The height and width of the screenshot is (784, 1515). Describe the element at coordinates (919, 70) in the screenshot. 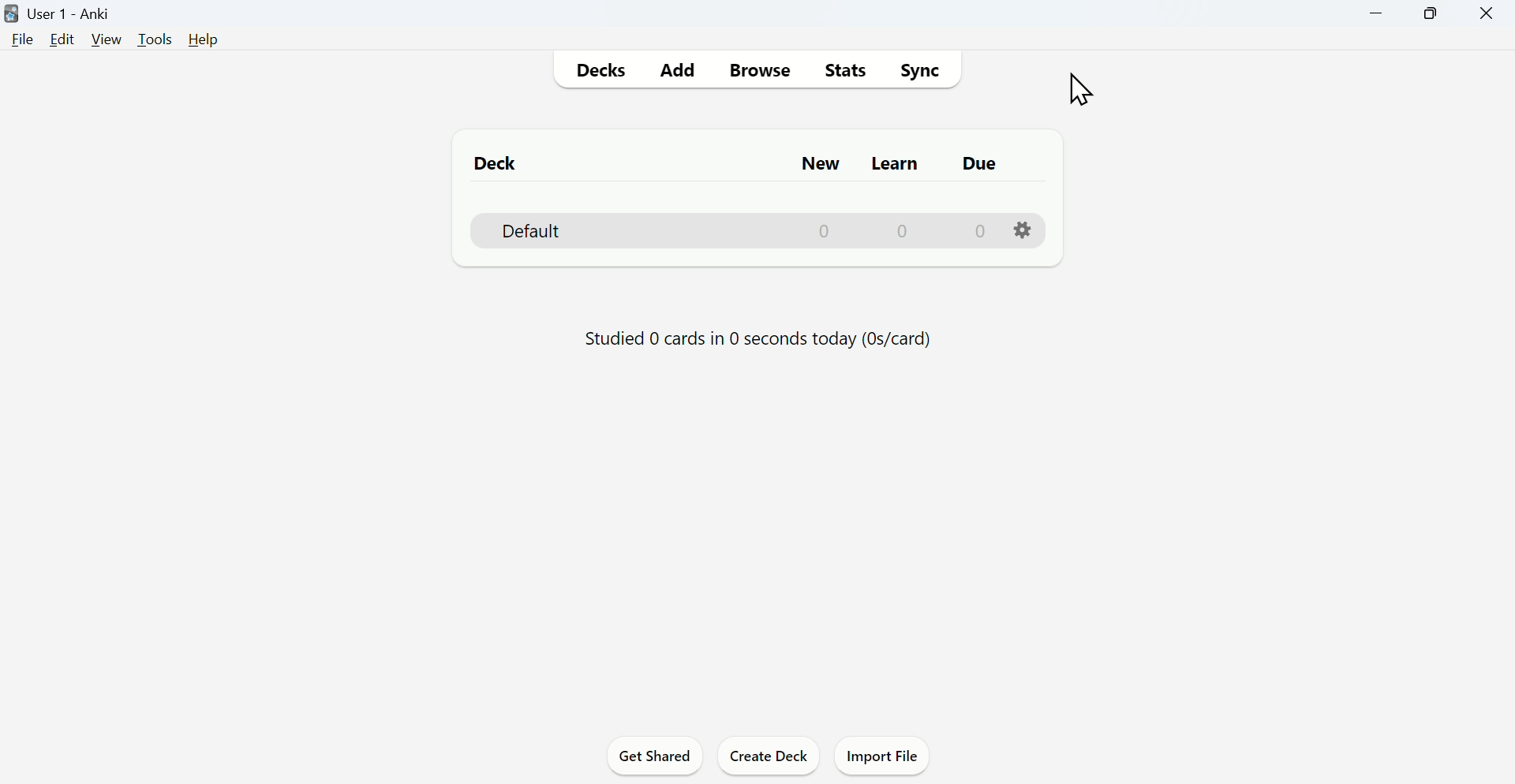

I see `Sync` at that location.